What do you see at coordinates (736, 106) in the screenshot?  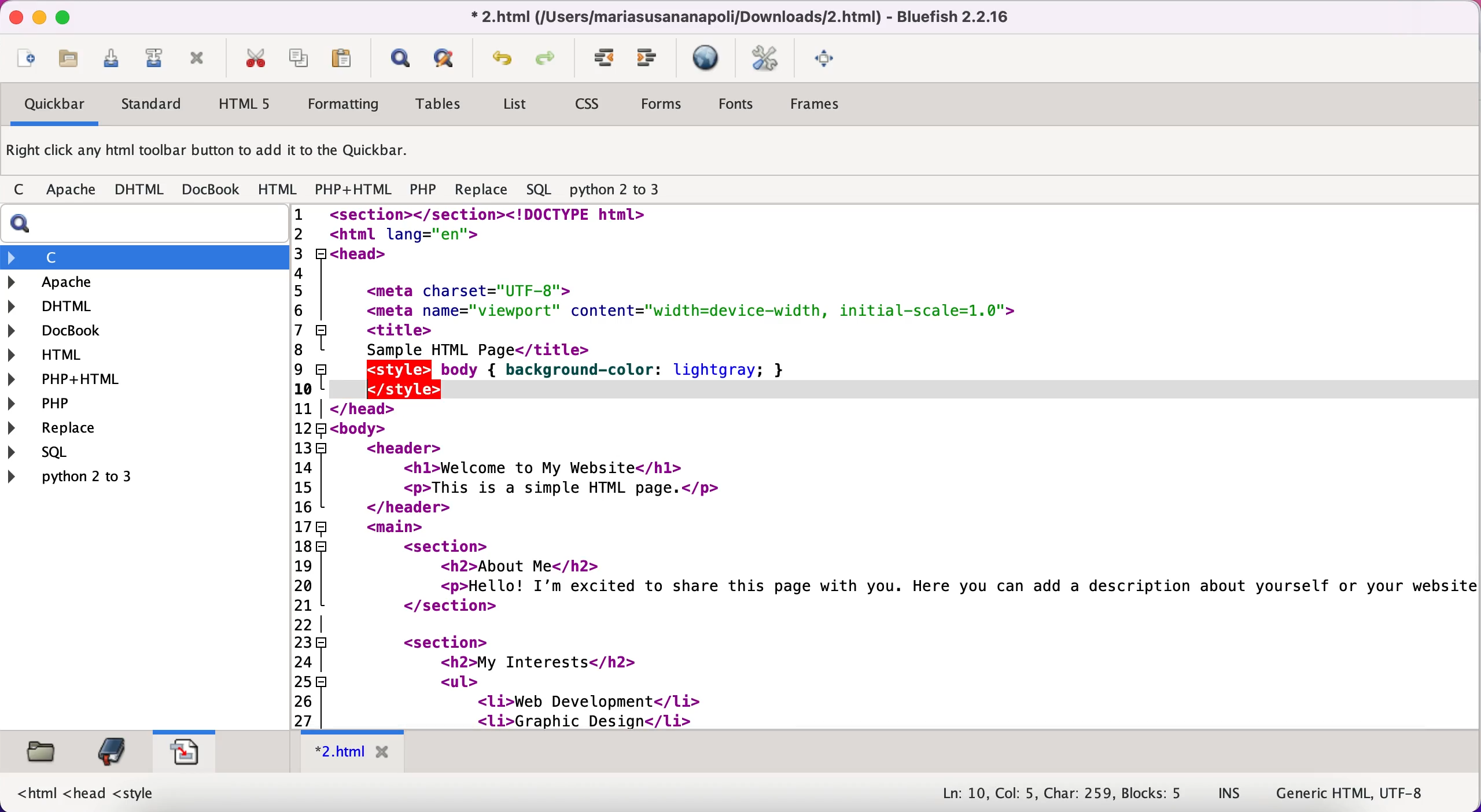 I see `fonts` at bounding box center [736, 106].